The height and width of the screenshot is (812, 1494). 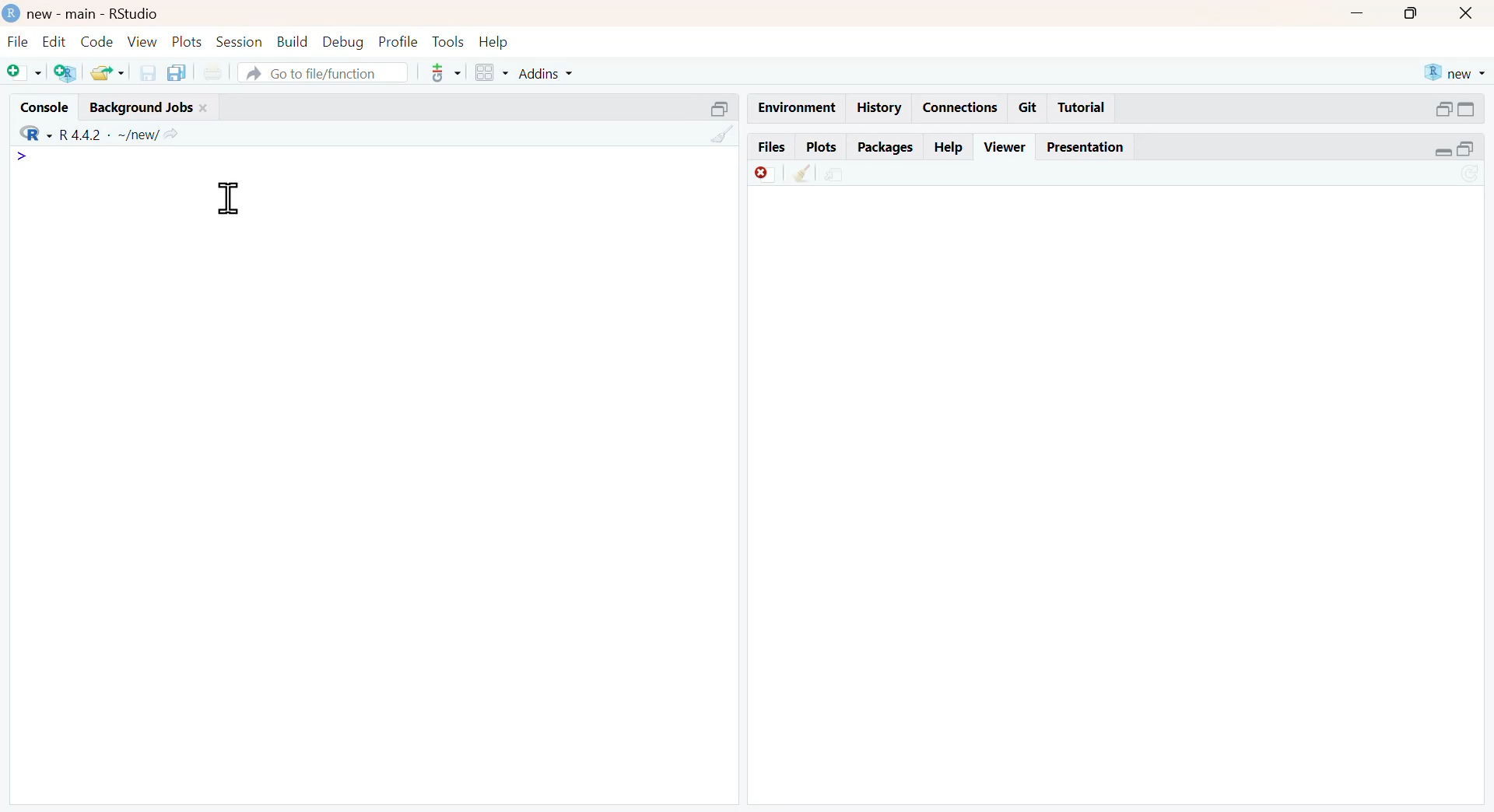 I want to click on addins, so click(x=548, y=75).